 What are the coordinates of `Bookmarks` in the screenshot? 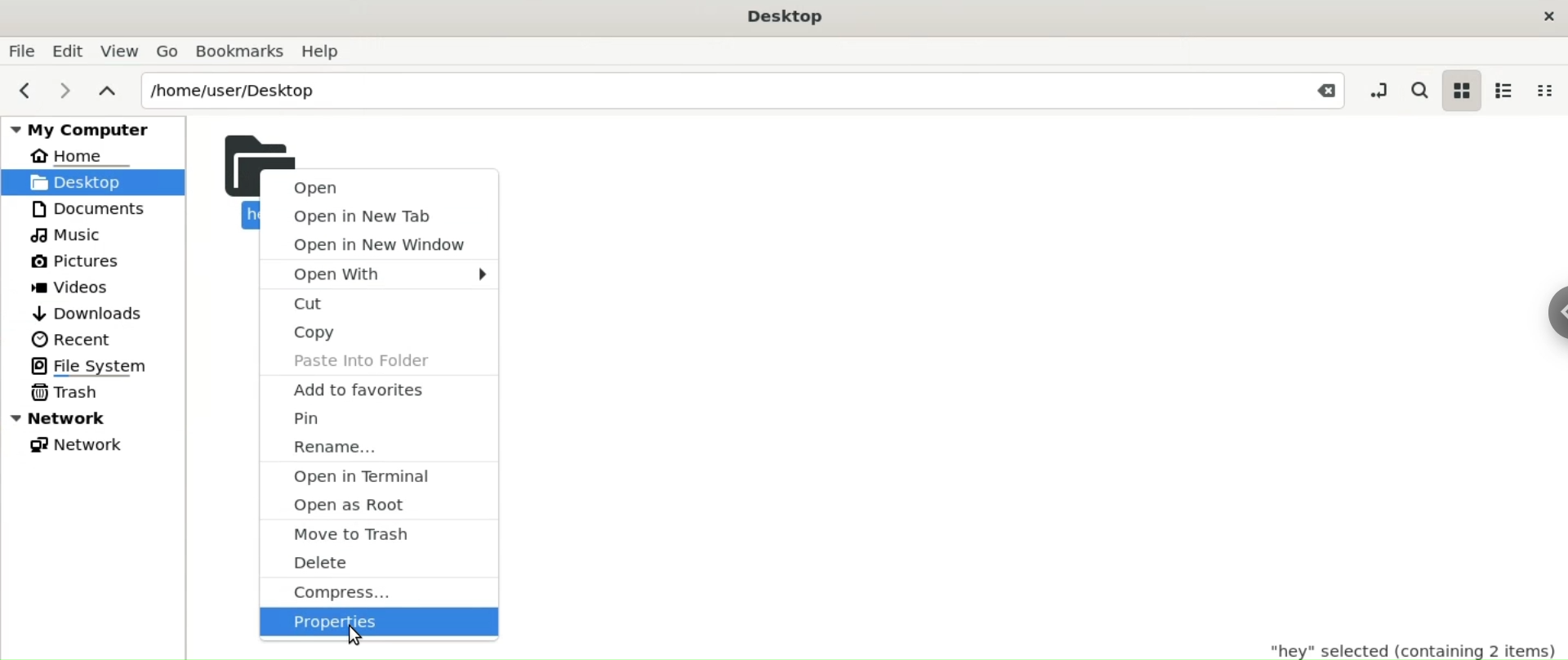 It's located at (241, 51).